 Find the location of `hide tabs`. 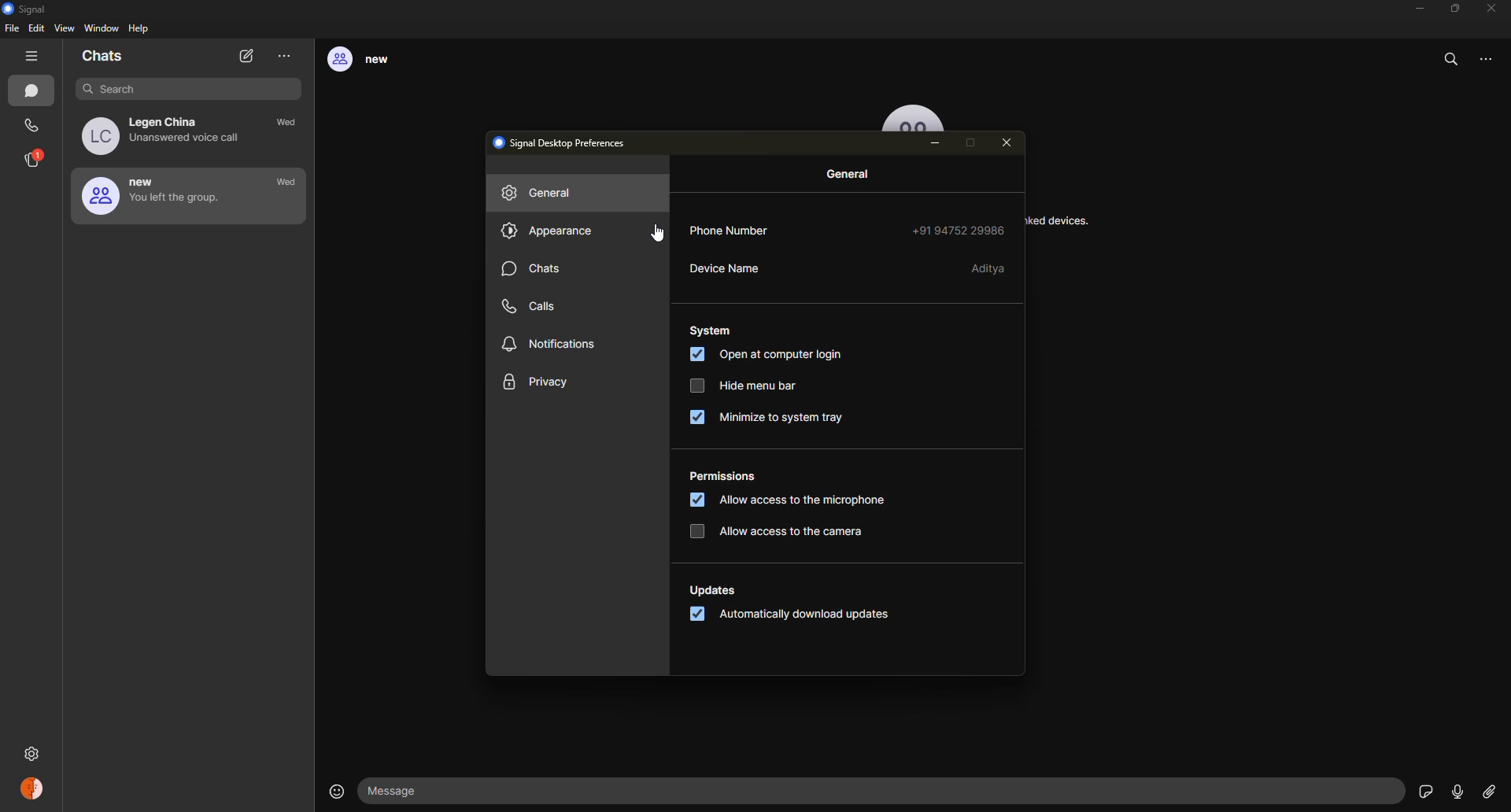

hide tabs is located at coordinates (35, 57).